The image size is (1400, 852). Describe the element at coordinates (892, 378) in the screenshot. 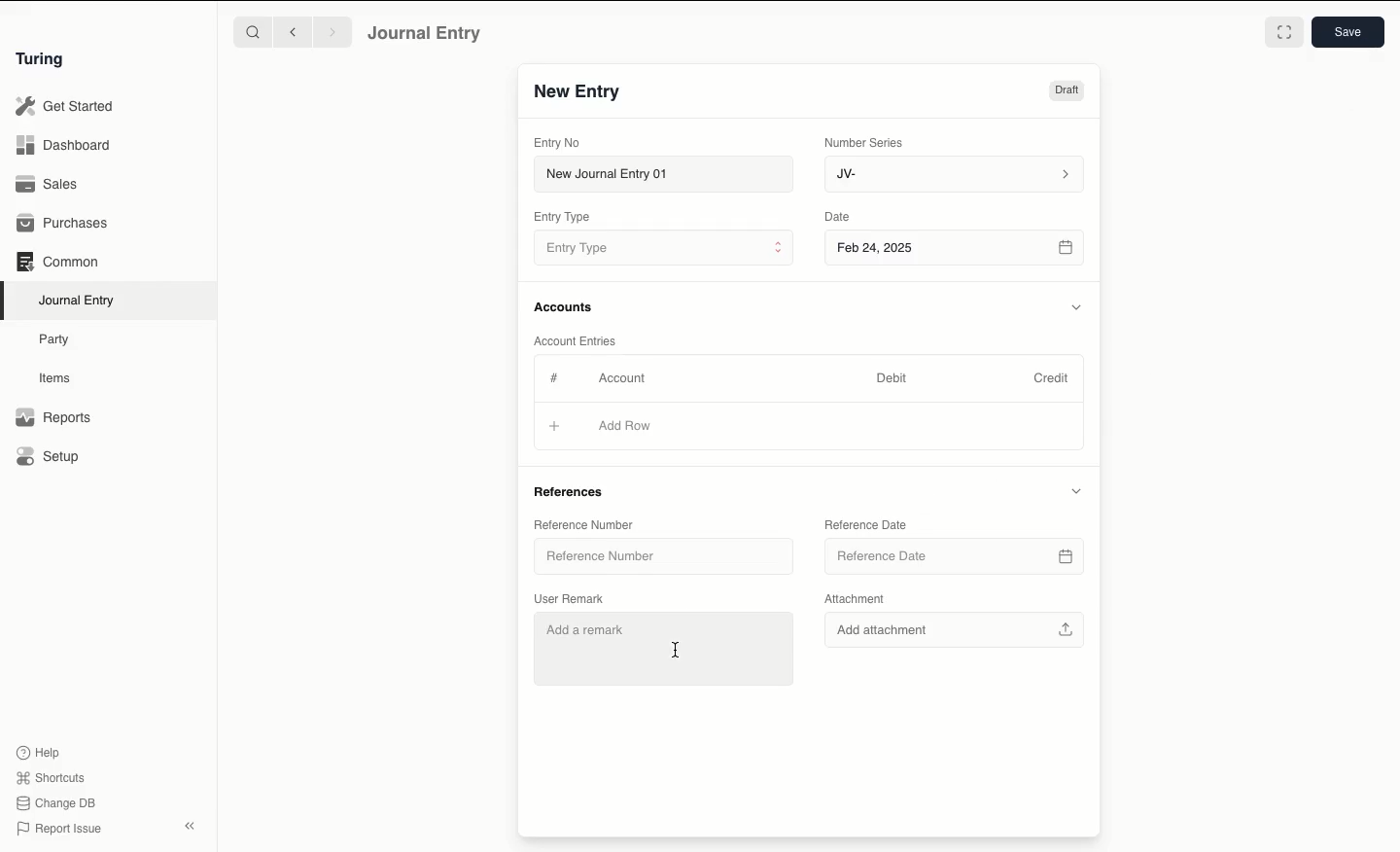

I see `Debit` at that location.